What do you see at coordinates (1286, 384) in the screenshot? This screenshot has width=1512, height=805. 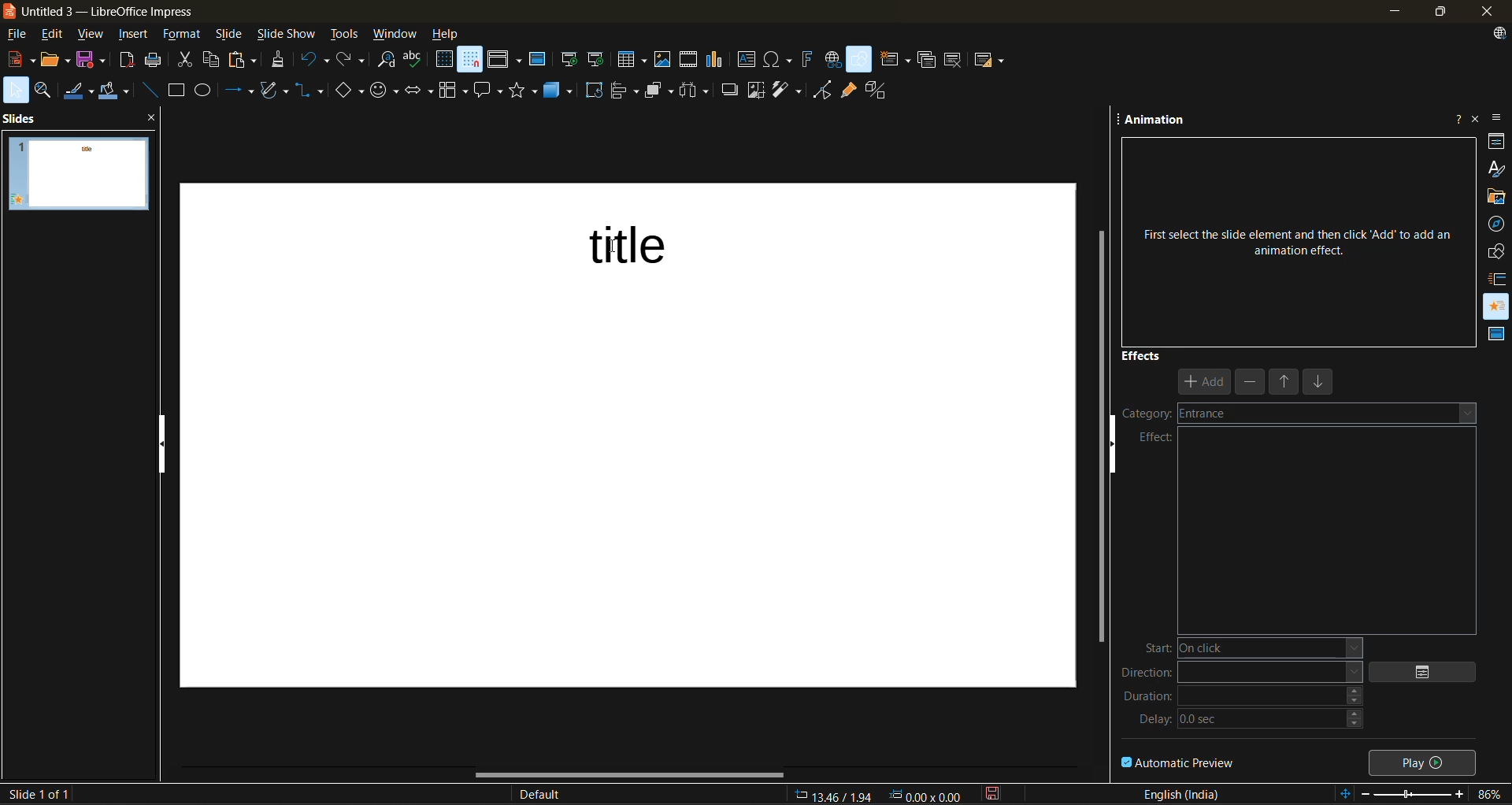 I see `move up` at bounding box center [1286, 384].